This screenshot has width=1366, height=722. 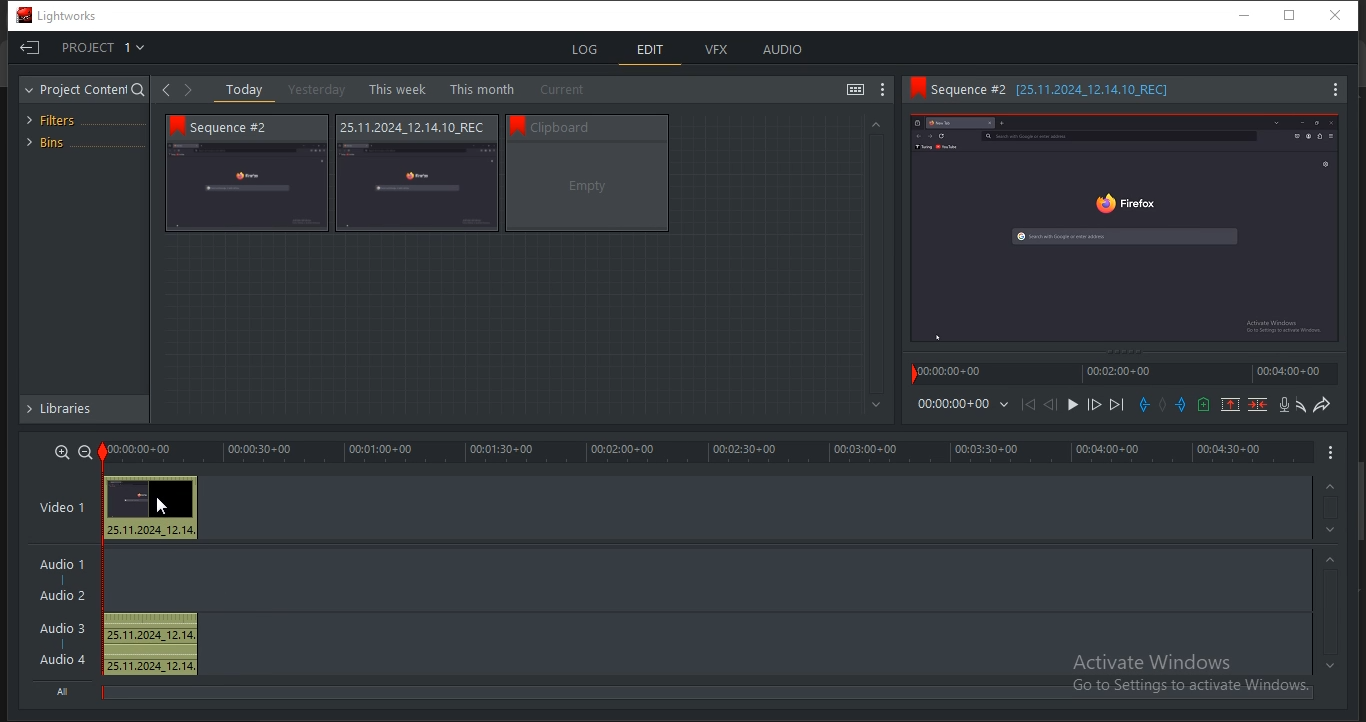 I want to click on Lightworks, so click(x=62, y=15).